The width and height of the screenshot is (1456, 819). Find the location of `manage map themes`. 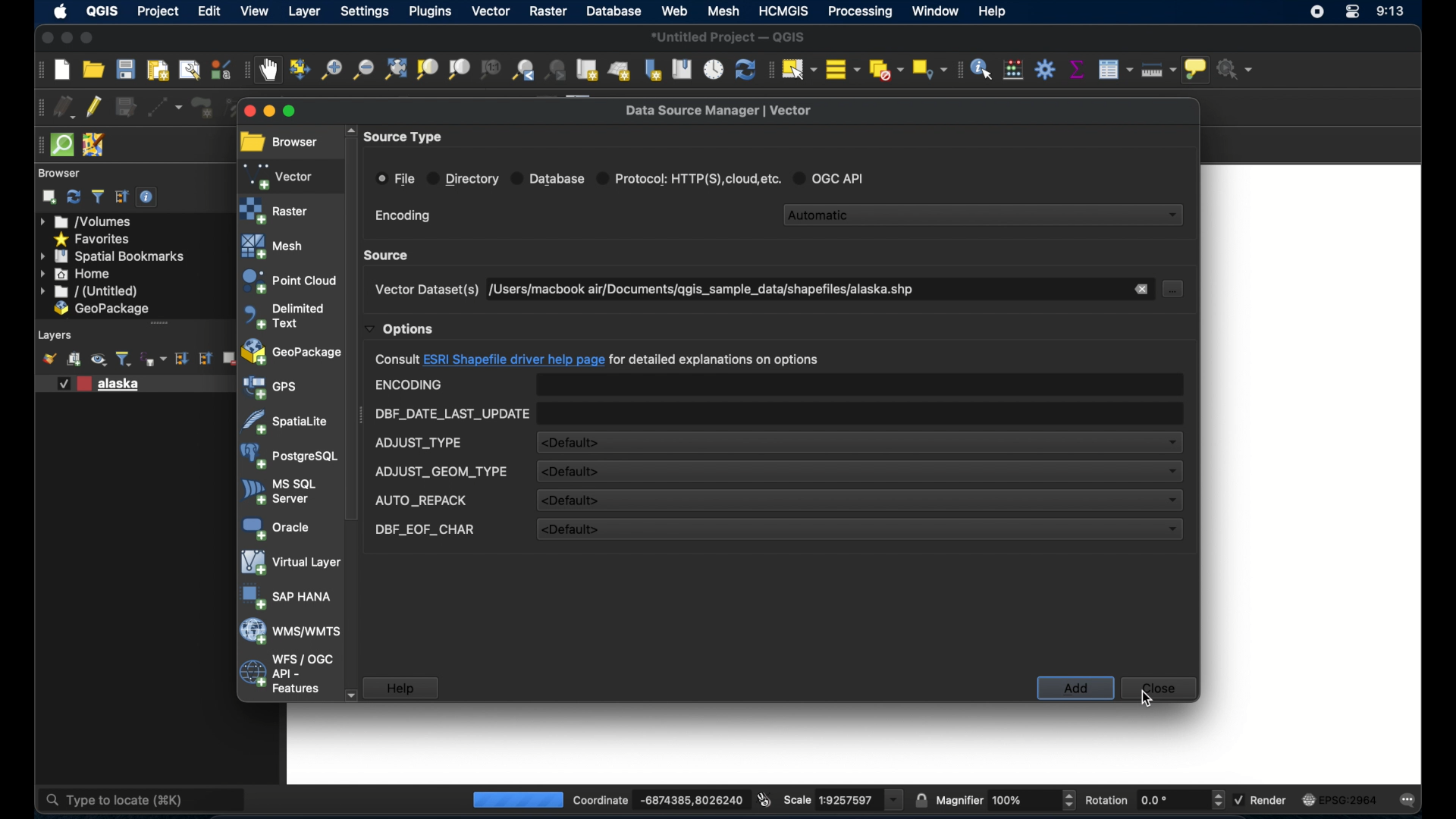

manage map themes is located at coordinates (99, 361).